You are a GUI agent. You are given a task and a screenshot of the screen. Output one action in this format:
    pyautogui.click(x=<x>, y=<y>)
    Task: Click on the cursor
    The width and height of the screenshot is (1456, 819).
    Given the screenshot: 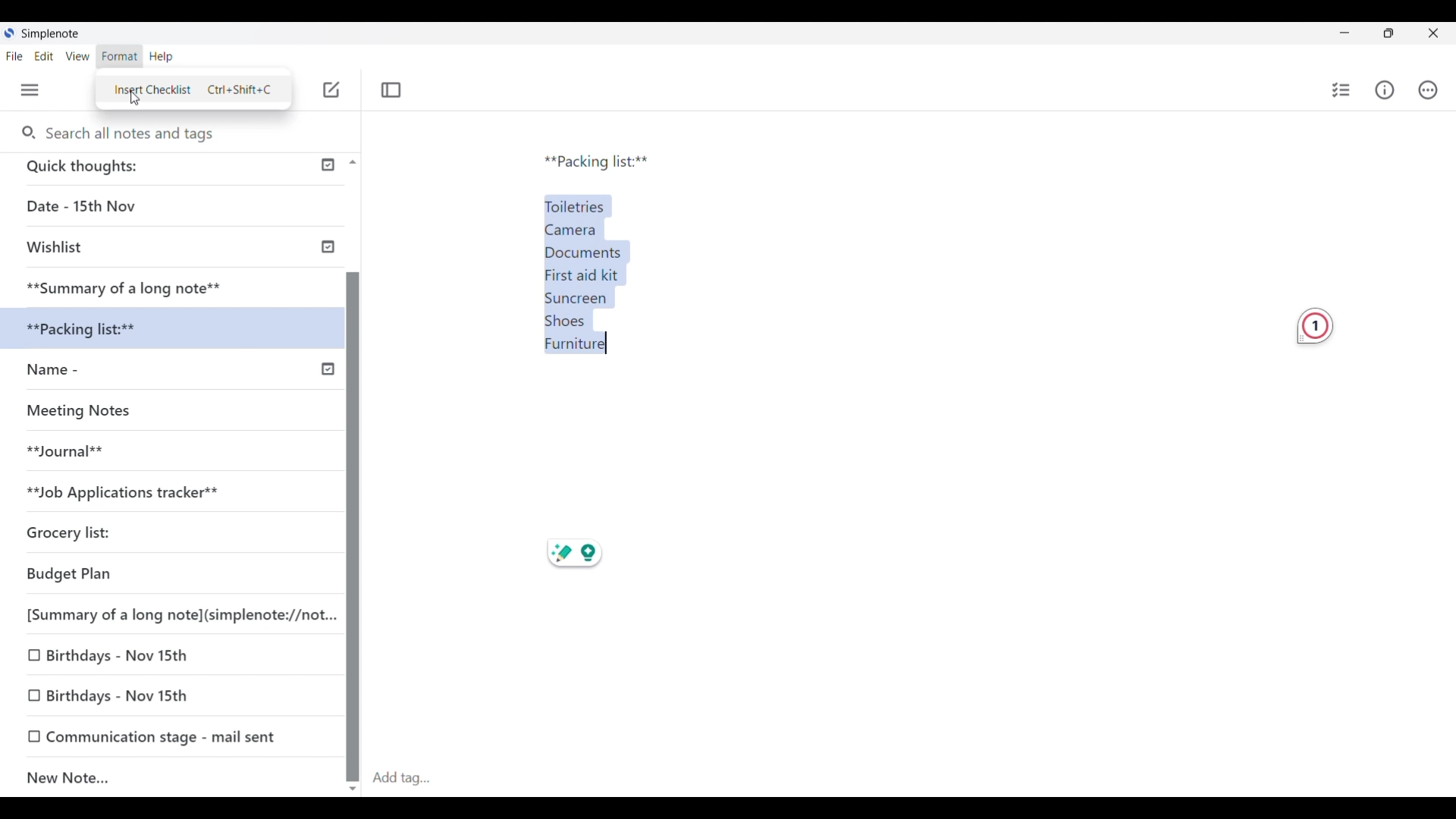 What is the action you would take?
    pyautogui.click(x=133, y=99)
    